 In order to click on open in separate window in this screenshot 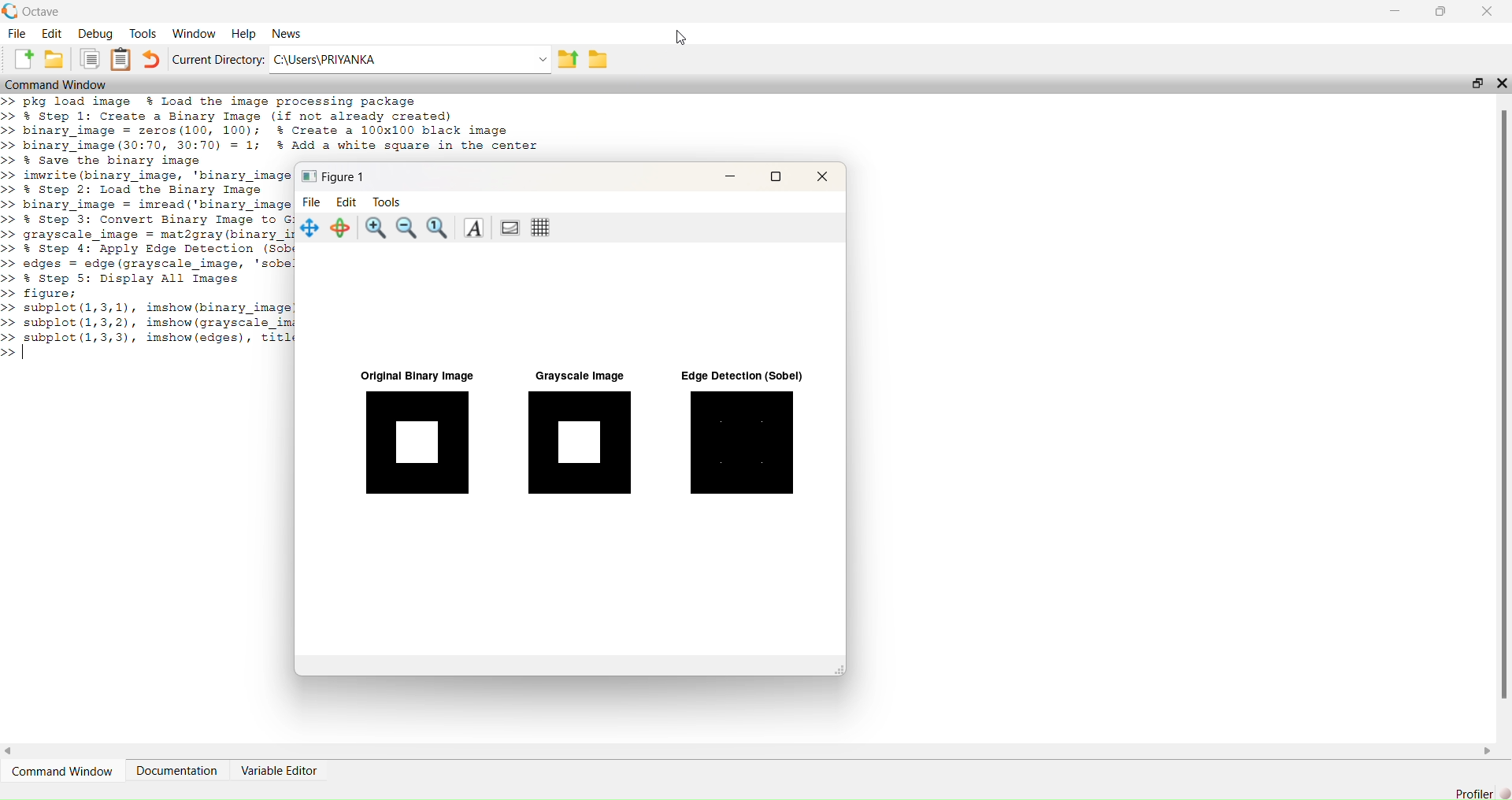, I will do `click(1477, 83)`.